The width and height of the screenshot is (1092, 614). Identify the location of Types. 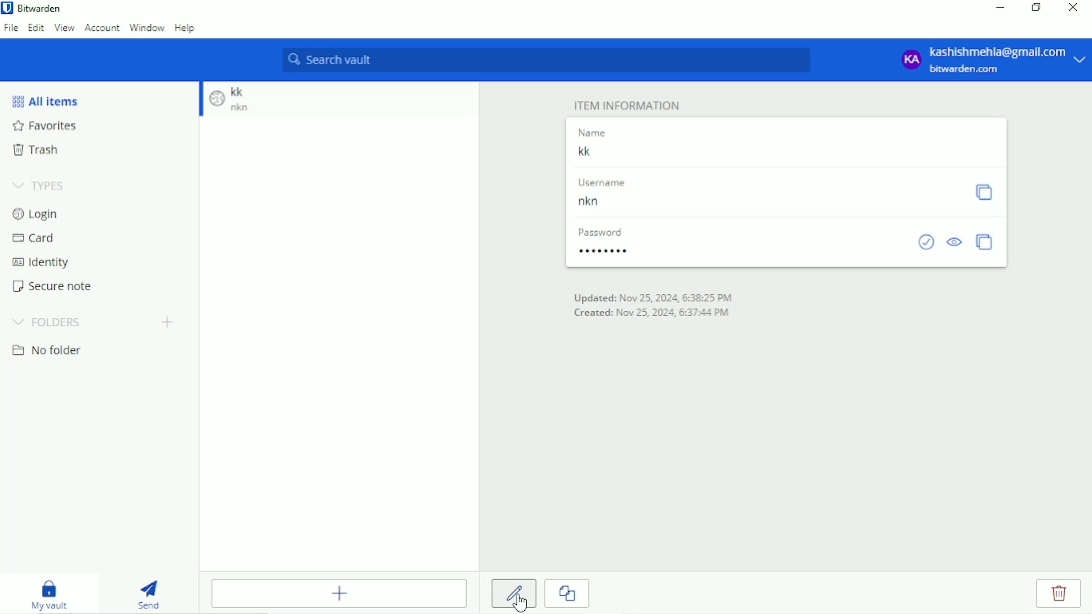
(42, 186).